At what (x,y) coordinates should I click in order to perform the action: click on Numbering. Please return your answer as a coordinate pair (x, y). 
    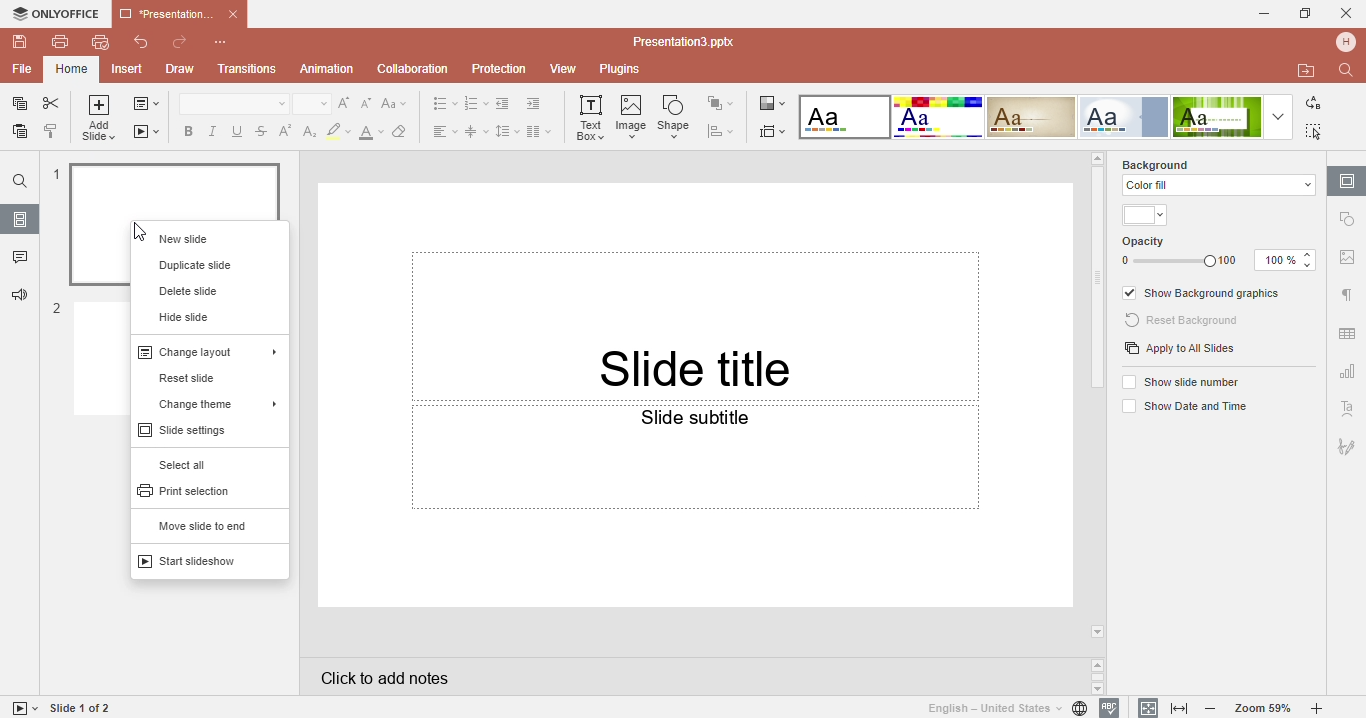
    Looking at the image, I should click on (477, 104).